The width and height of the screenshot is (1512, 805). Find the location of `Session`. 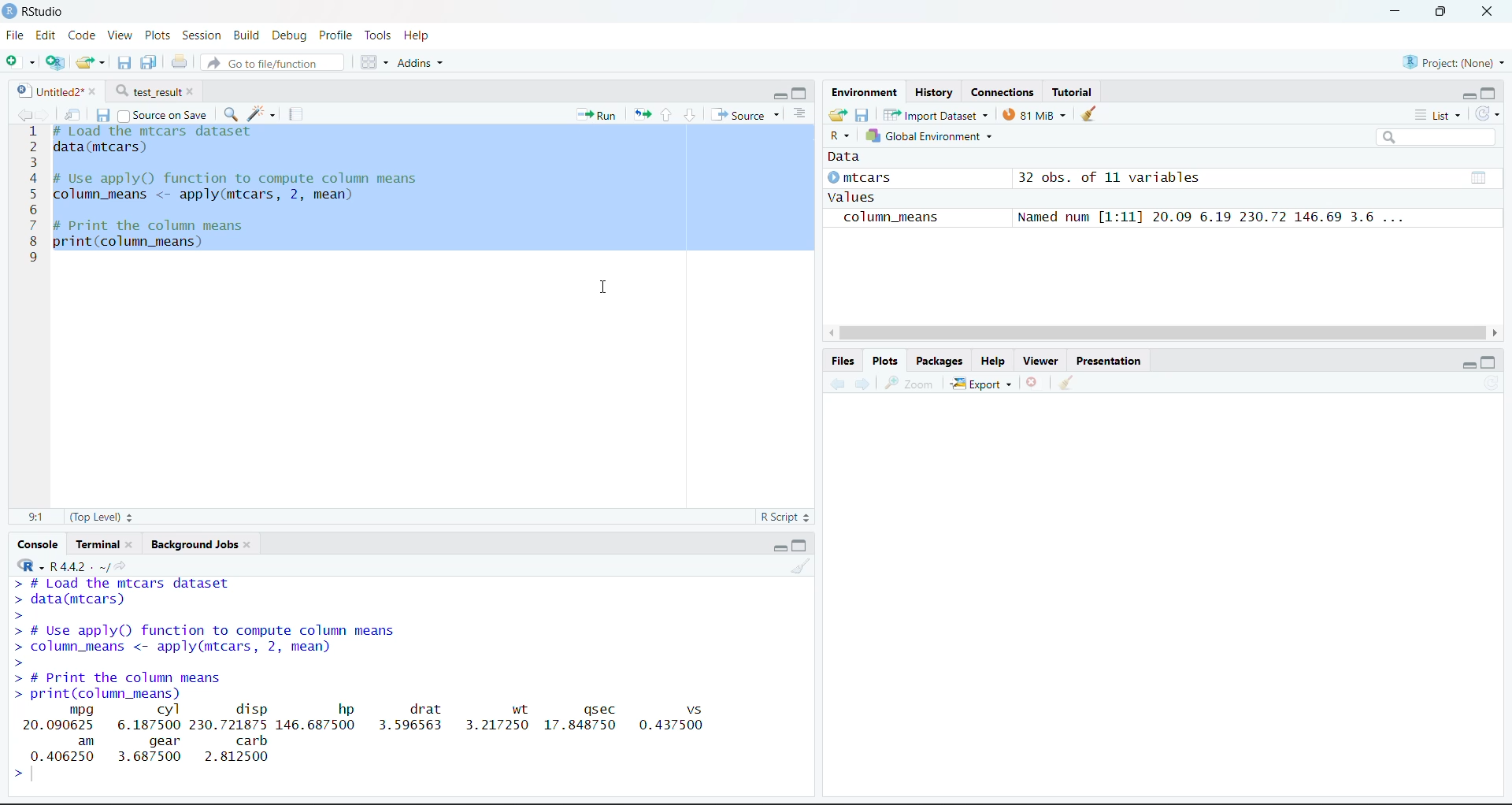

Session is located at coordinates (201, 34).